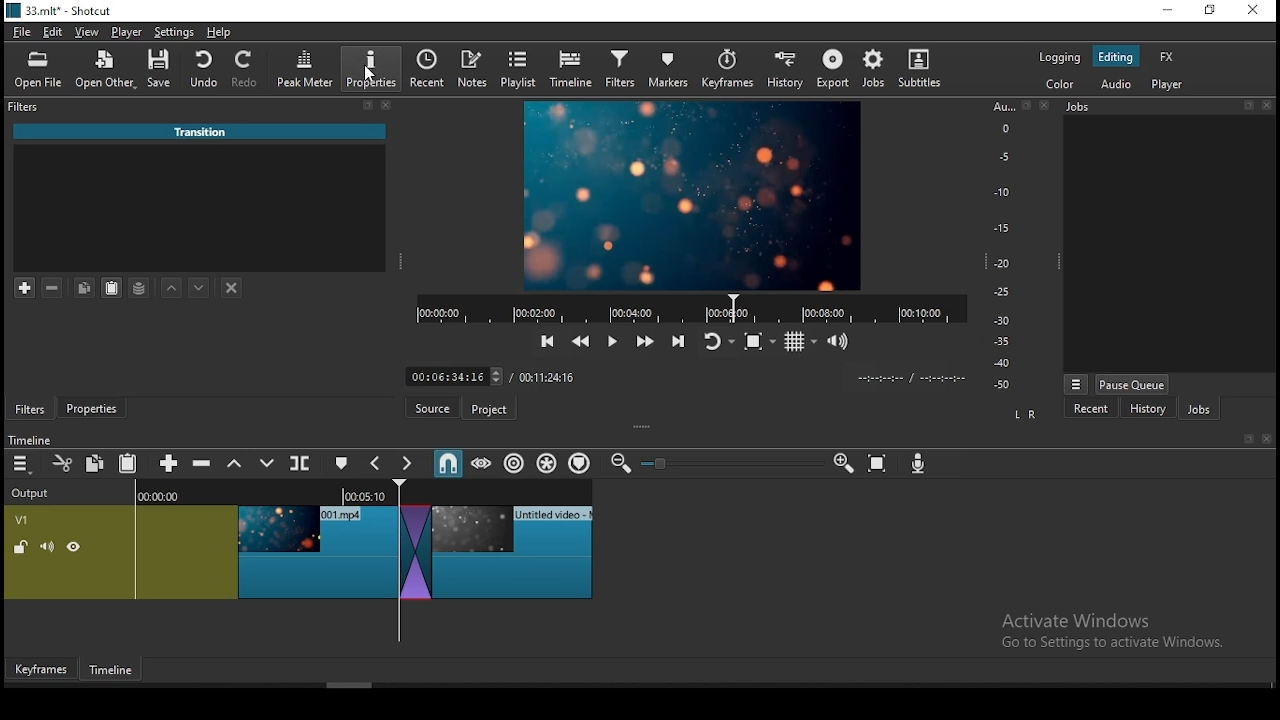  I want to click on , so click(1250, 106).